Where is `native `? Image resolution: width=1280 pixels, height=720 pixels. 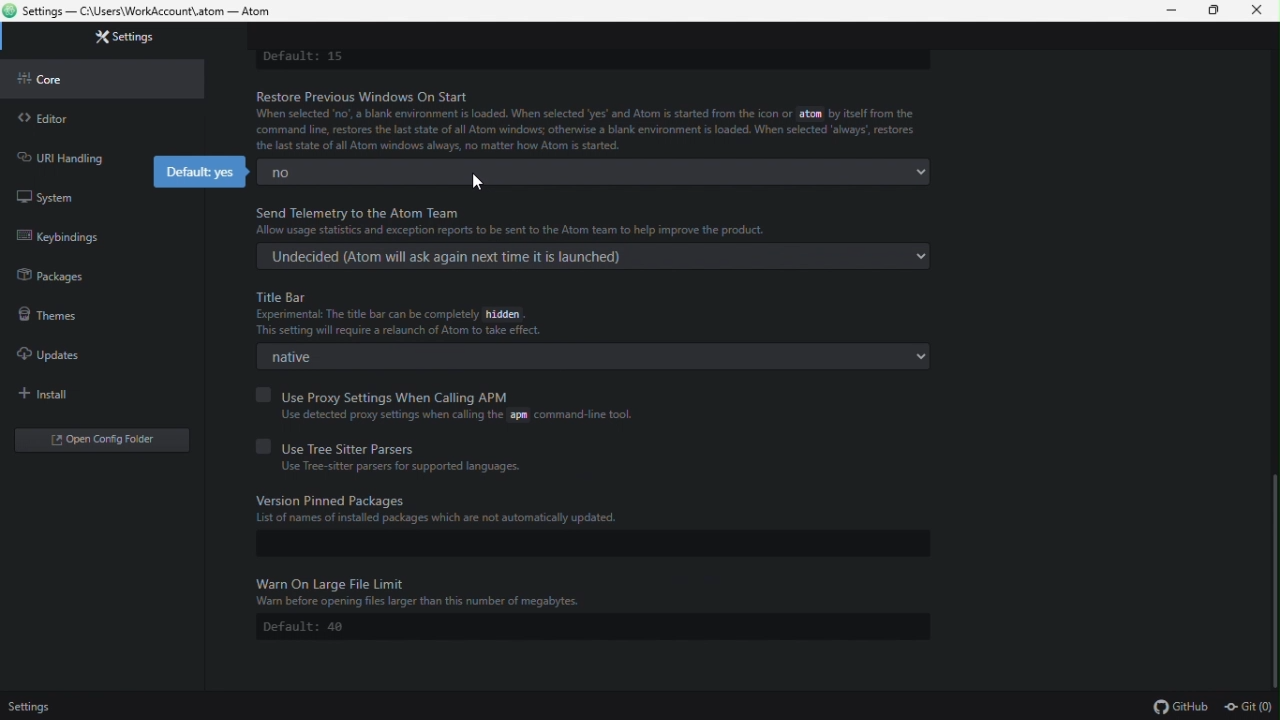
native  is located at coordinates (593, 357).